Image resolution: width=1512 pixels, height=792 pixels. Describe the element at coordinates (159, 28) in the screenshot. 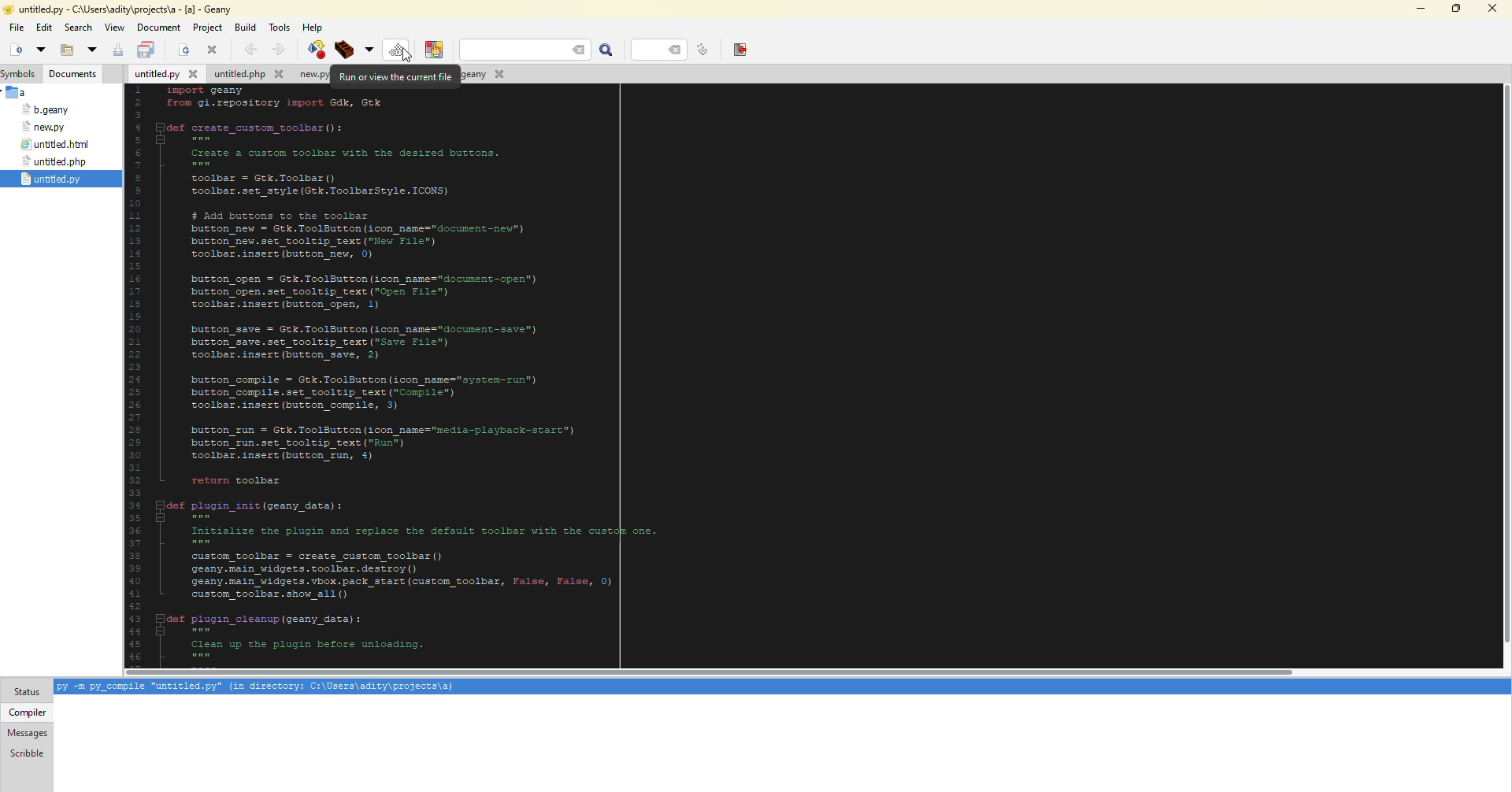

I see `document` at that location.